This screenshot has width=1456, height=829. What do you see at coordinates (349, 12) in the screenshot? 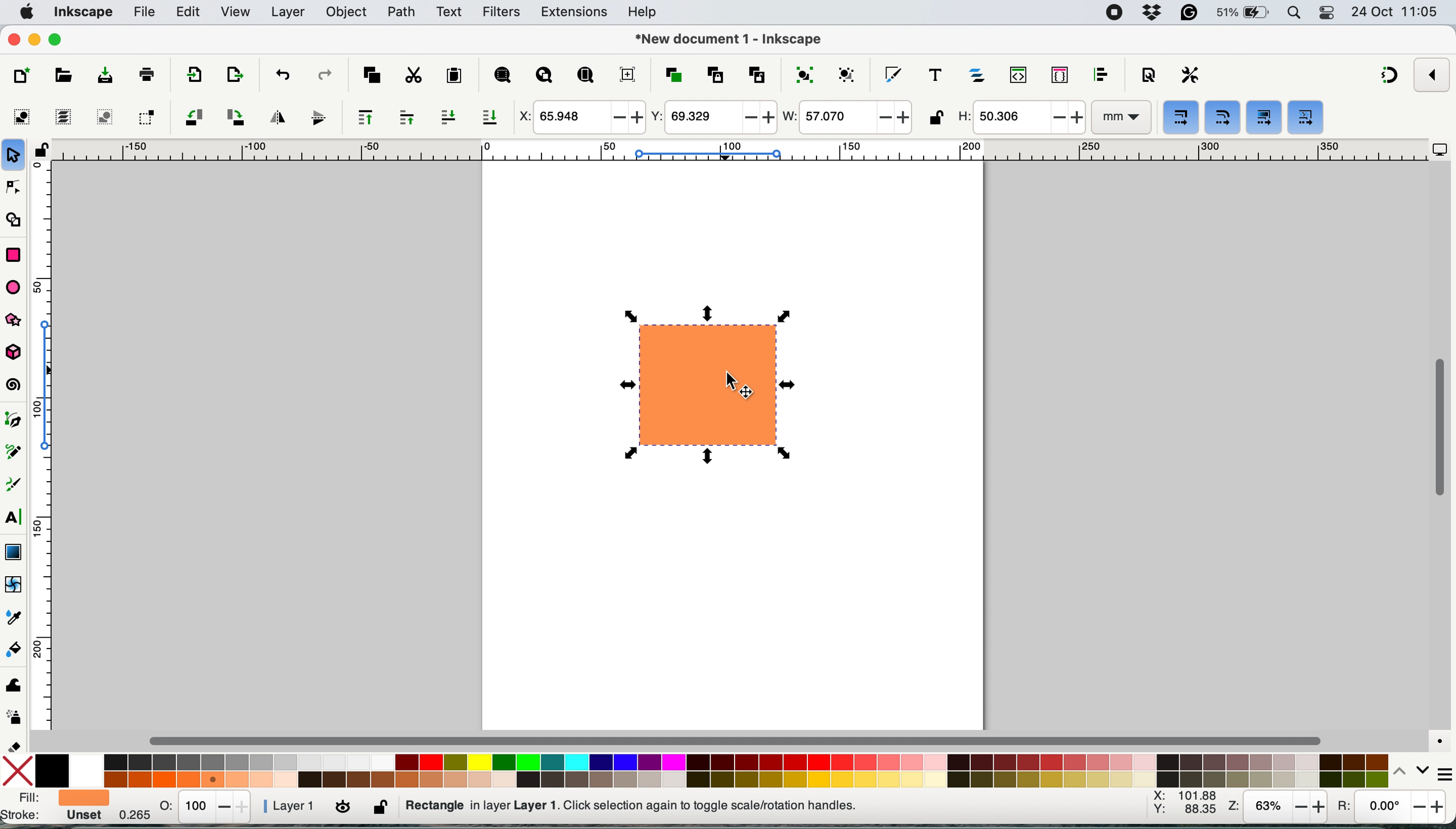
I see `object` at bounding box center [349, 12].